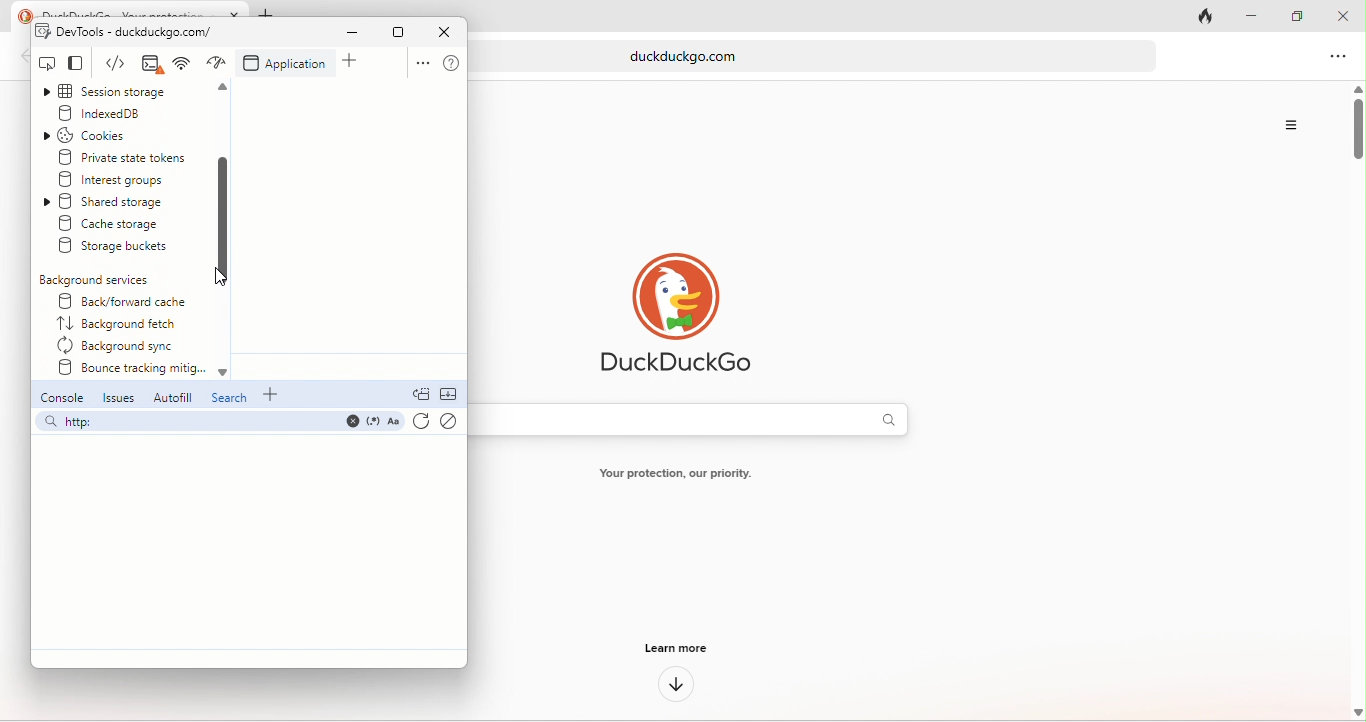 The width and height of the screenshot is (1366, 722). What do you see at coordinates (452, 64) in the screenshot?
I see `help` at bounding box center [452, 64].